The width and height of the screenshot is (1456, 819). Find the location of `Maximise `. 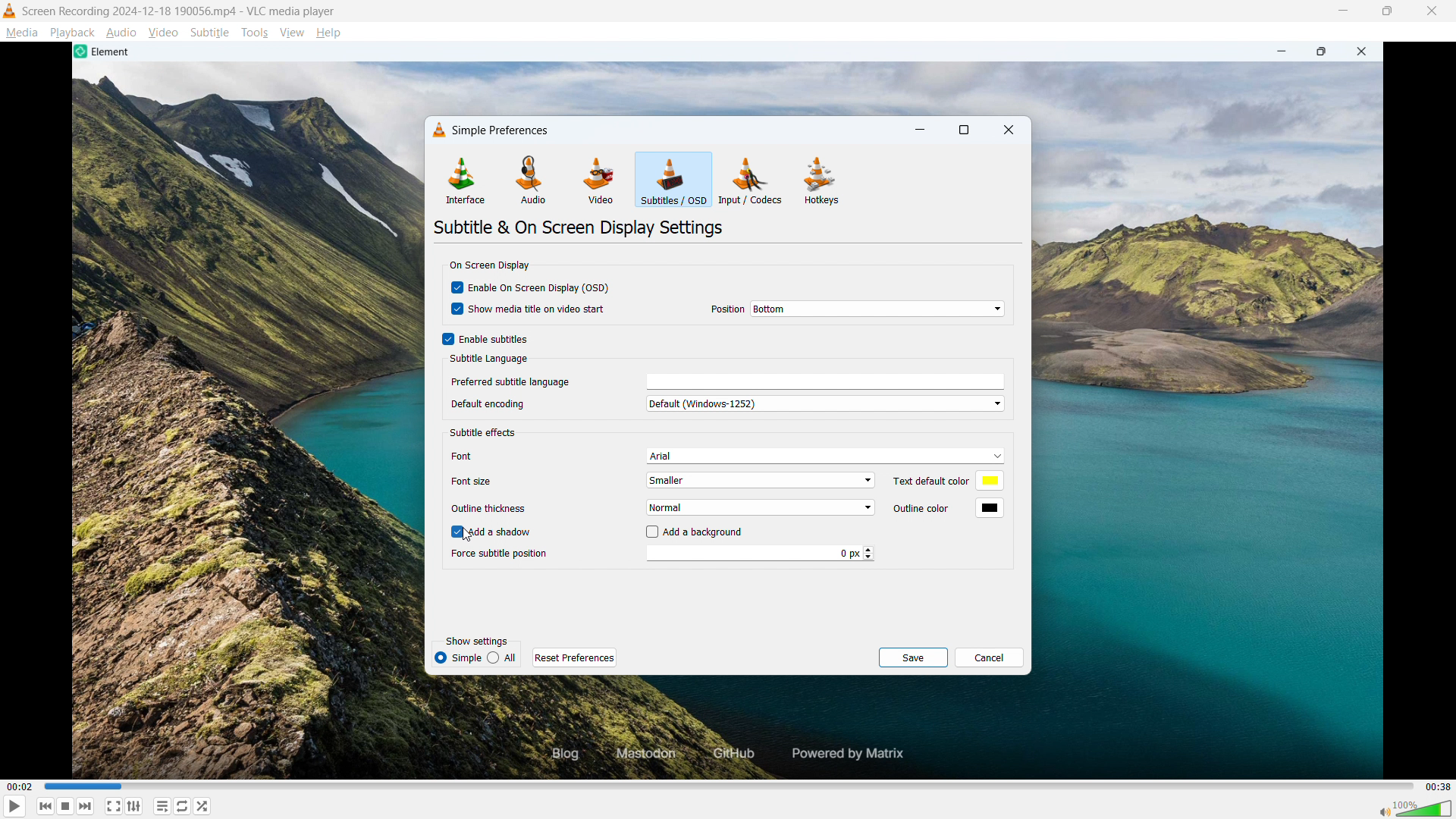

Maximise  is located at coordinates (1386, 11).